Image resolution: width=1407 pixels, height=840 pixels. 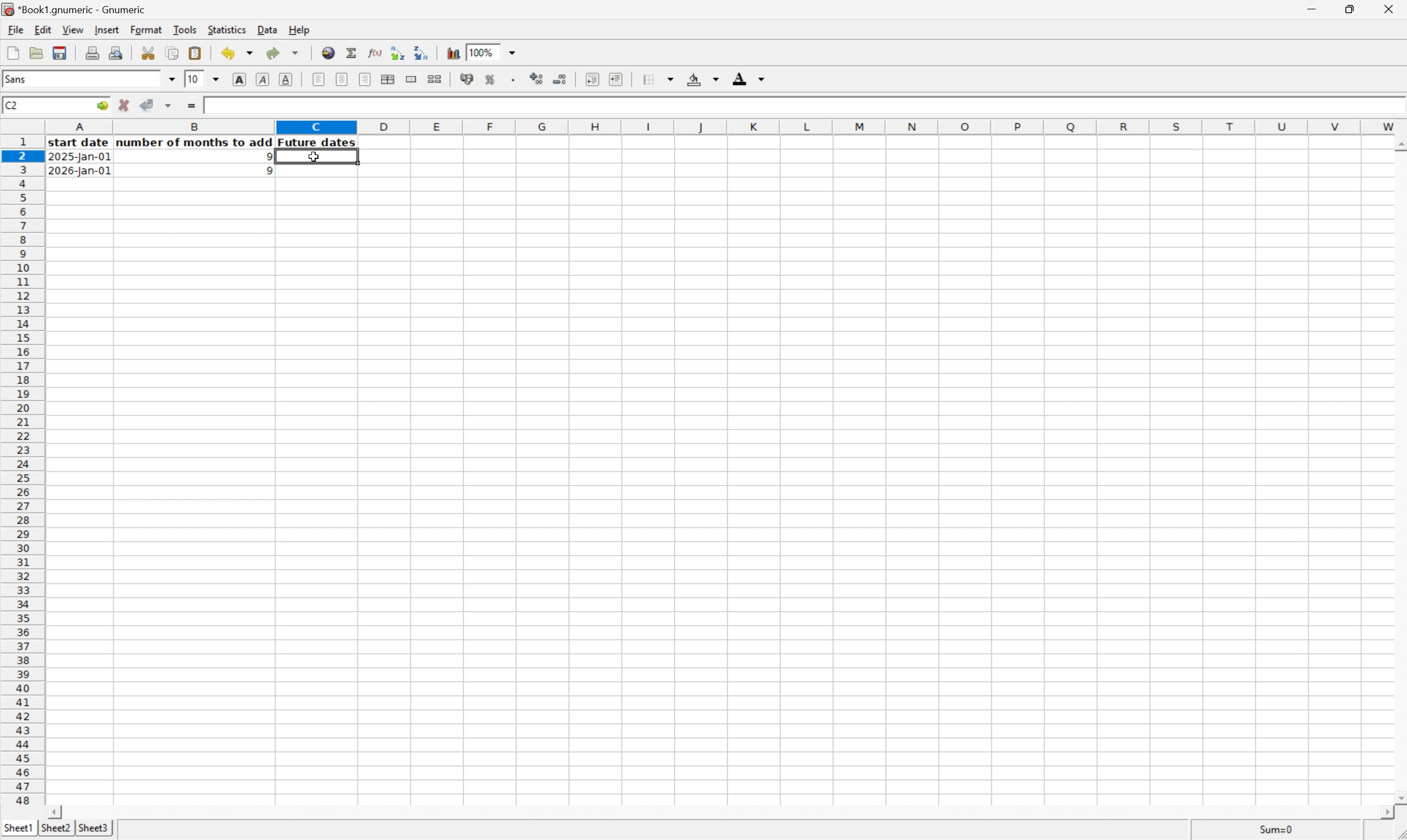 What do you see at coordinates (365, 79) in the screenshot?
I see `Align Right` at bounding box center [365, 79].